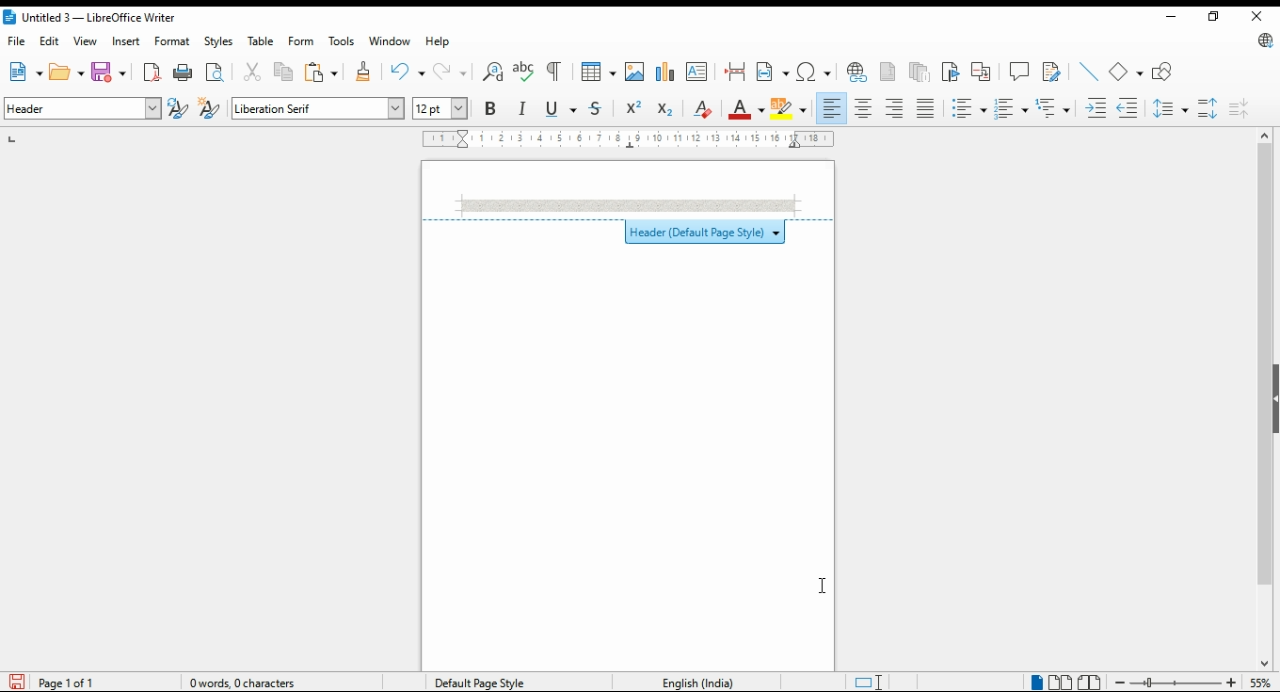  I want to click on insert image, so click(635, 71).